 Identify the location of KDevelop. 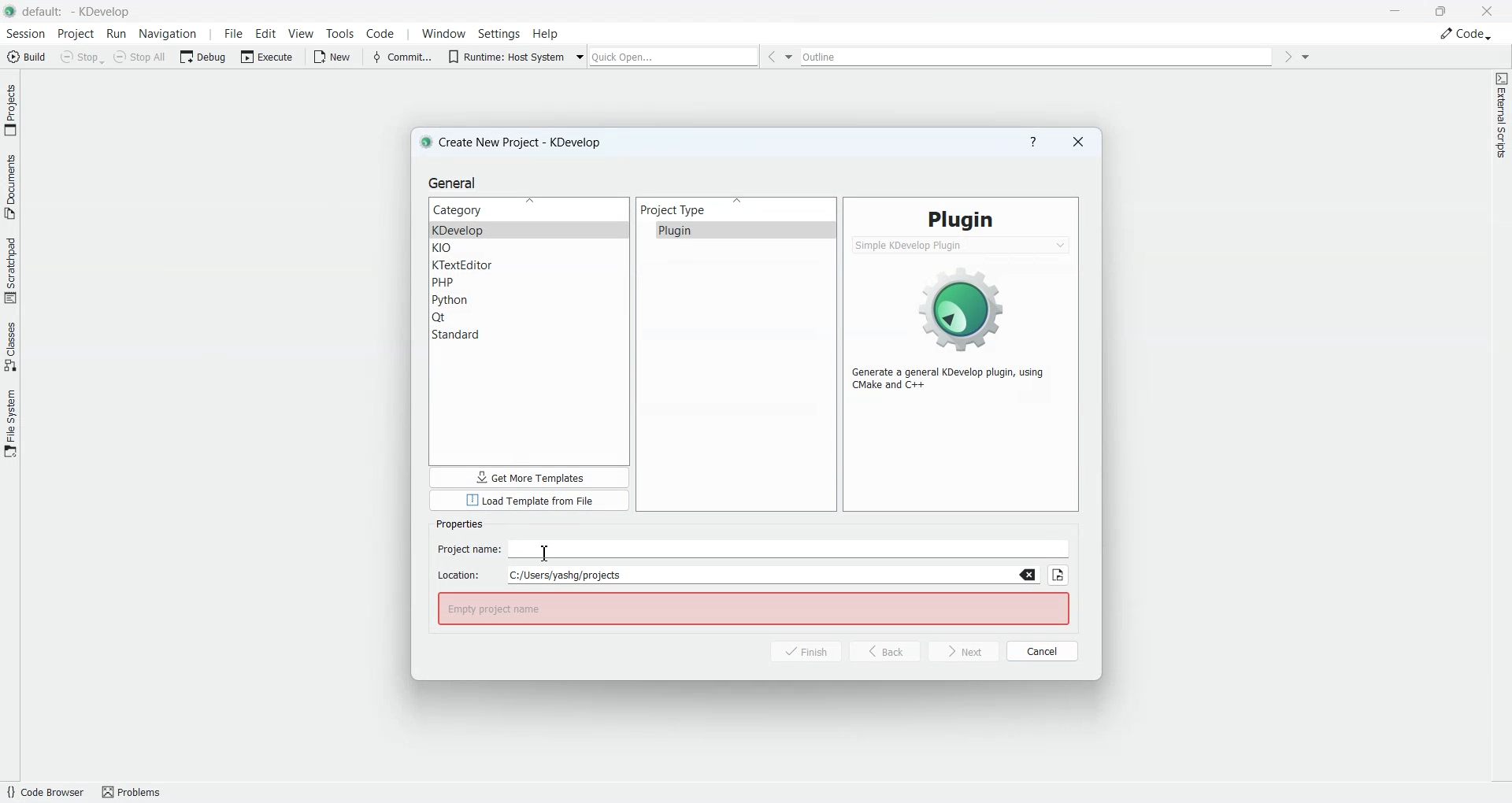
(529, 230).